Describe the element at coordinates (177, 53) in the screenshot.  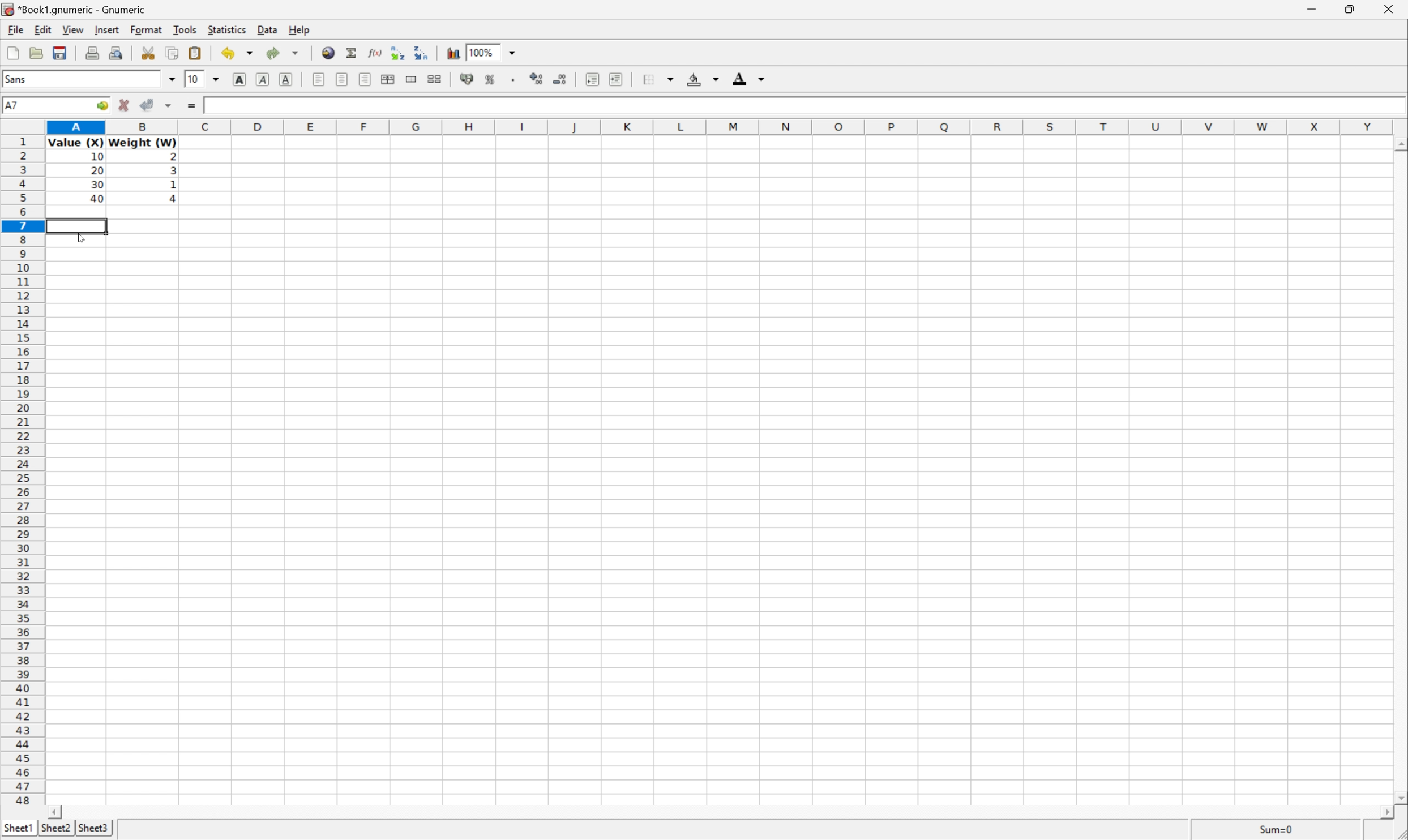
I see `Copy selection` at that location.